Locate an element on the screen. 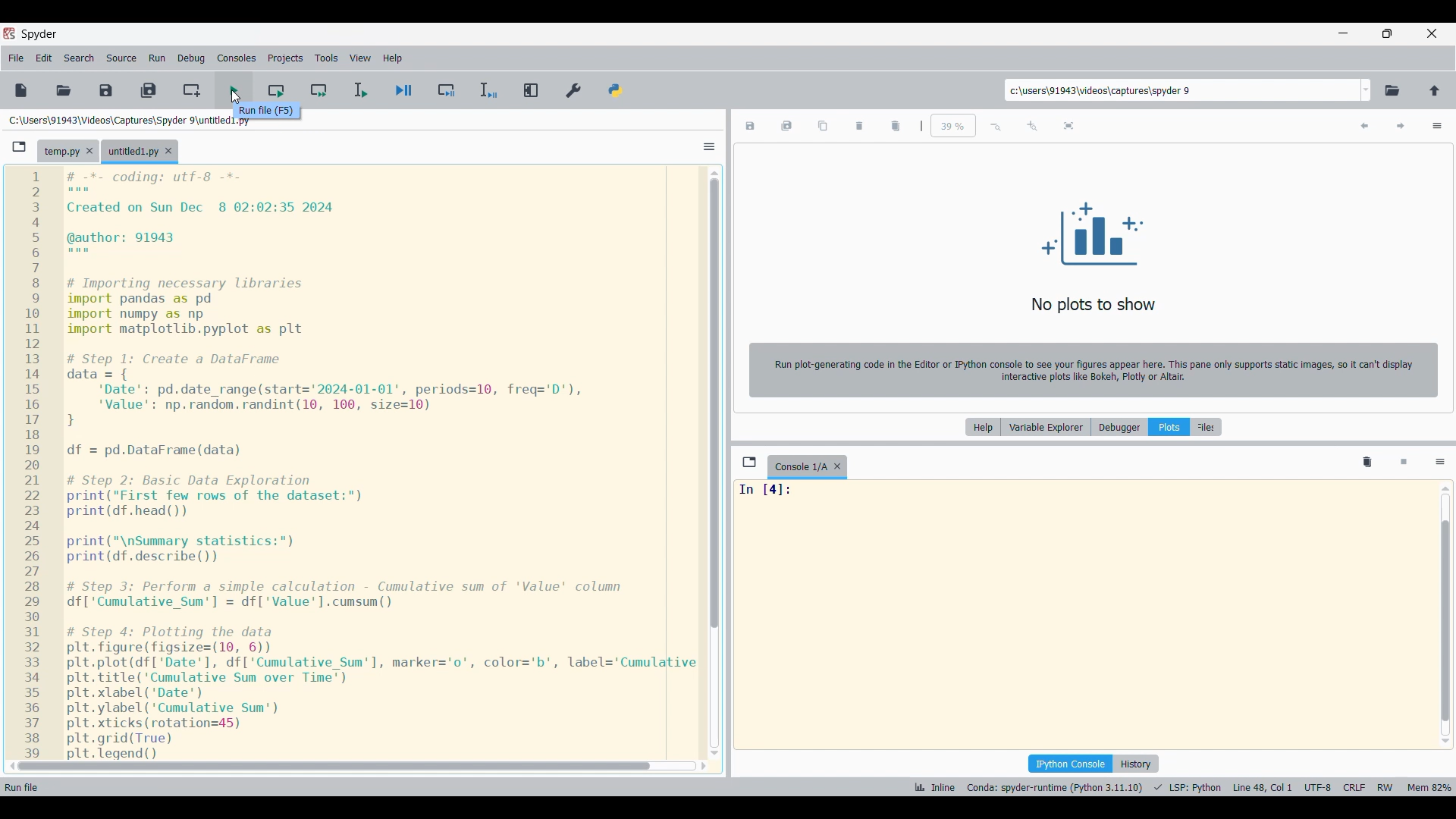 The height and width of the screenshot is (819, 1456). Input zoom factor is located at coordinates (953, 125).